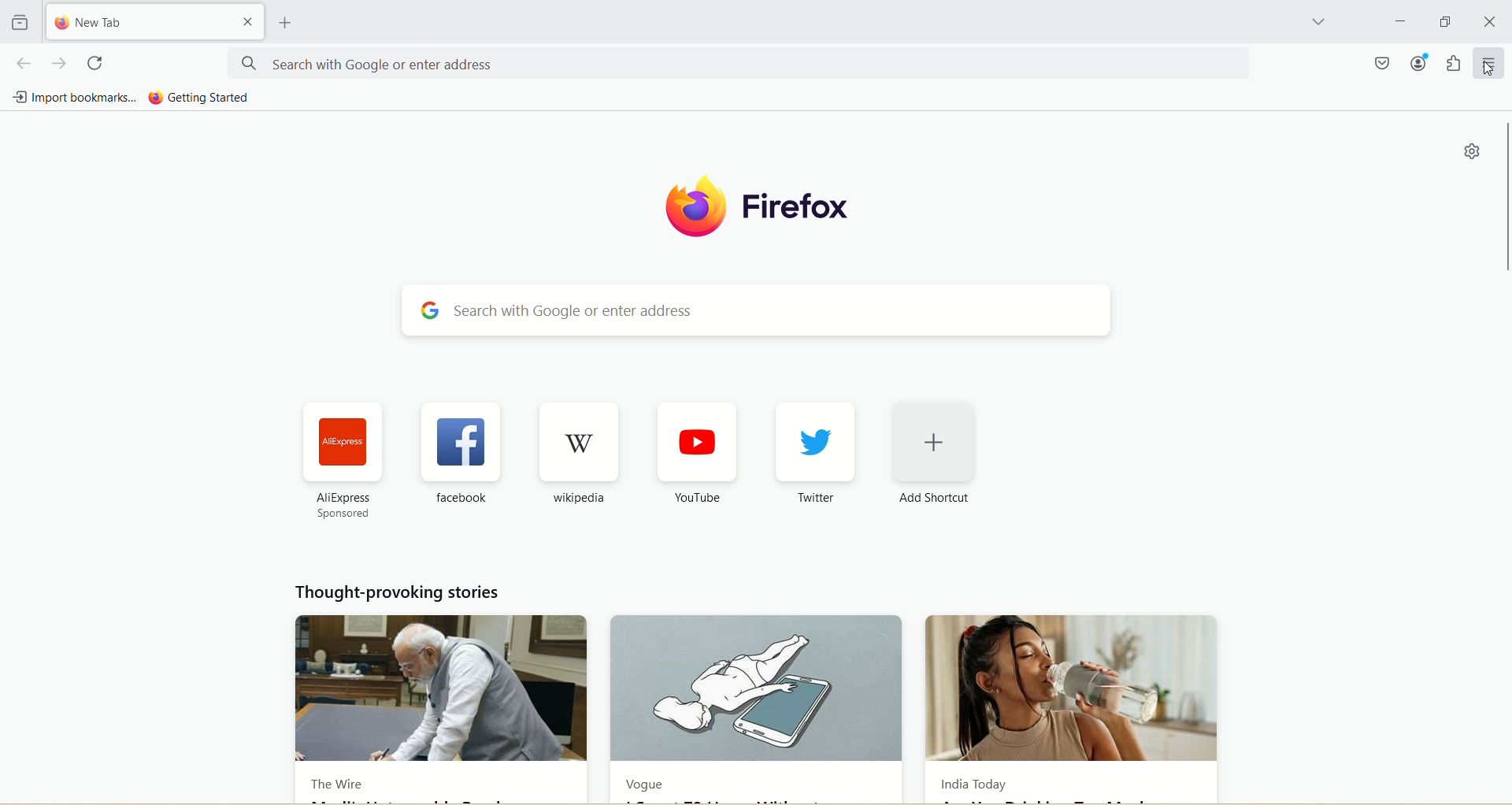 This screenshot has height=805, width=1512. Describe the element at coordinates (20, 20) in the screenshot. I see `view recent browsing across windows and devices` at that location.